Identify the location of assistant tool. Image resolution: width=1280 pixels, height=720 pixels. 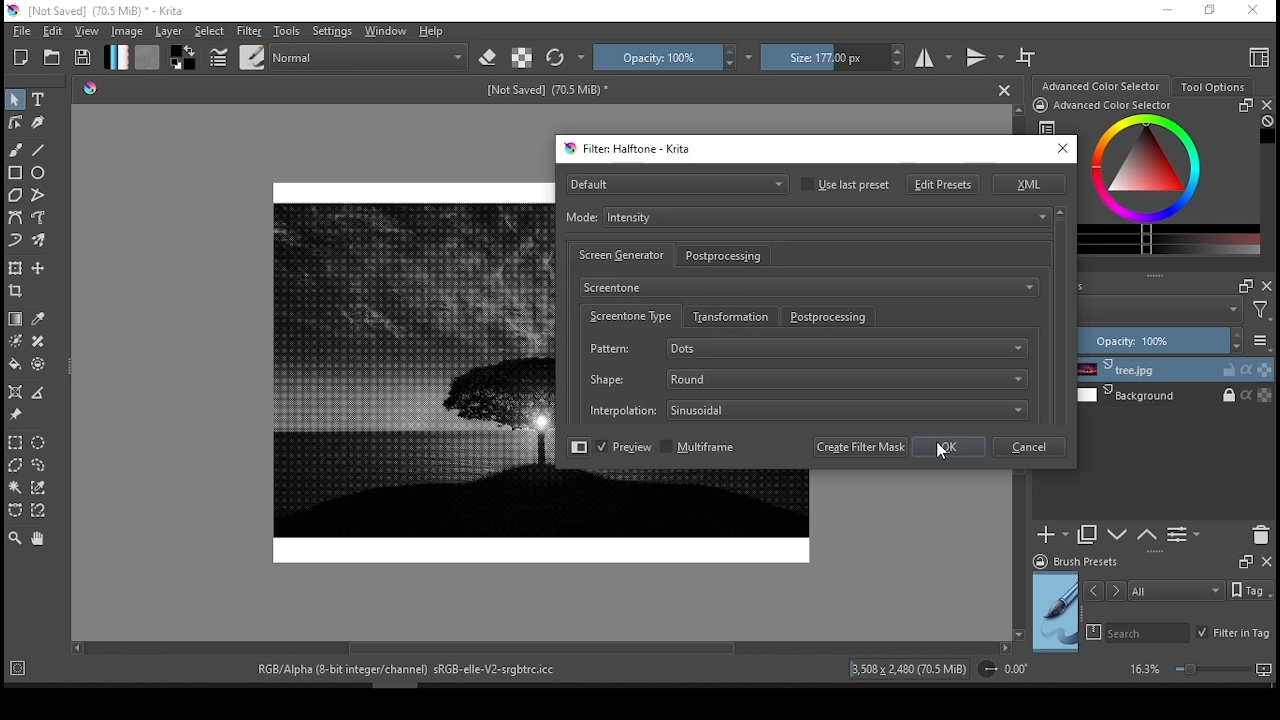
(15, 391).